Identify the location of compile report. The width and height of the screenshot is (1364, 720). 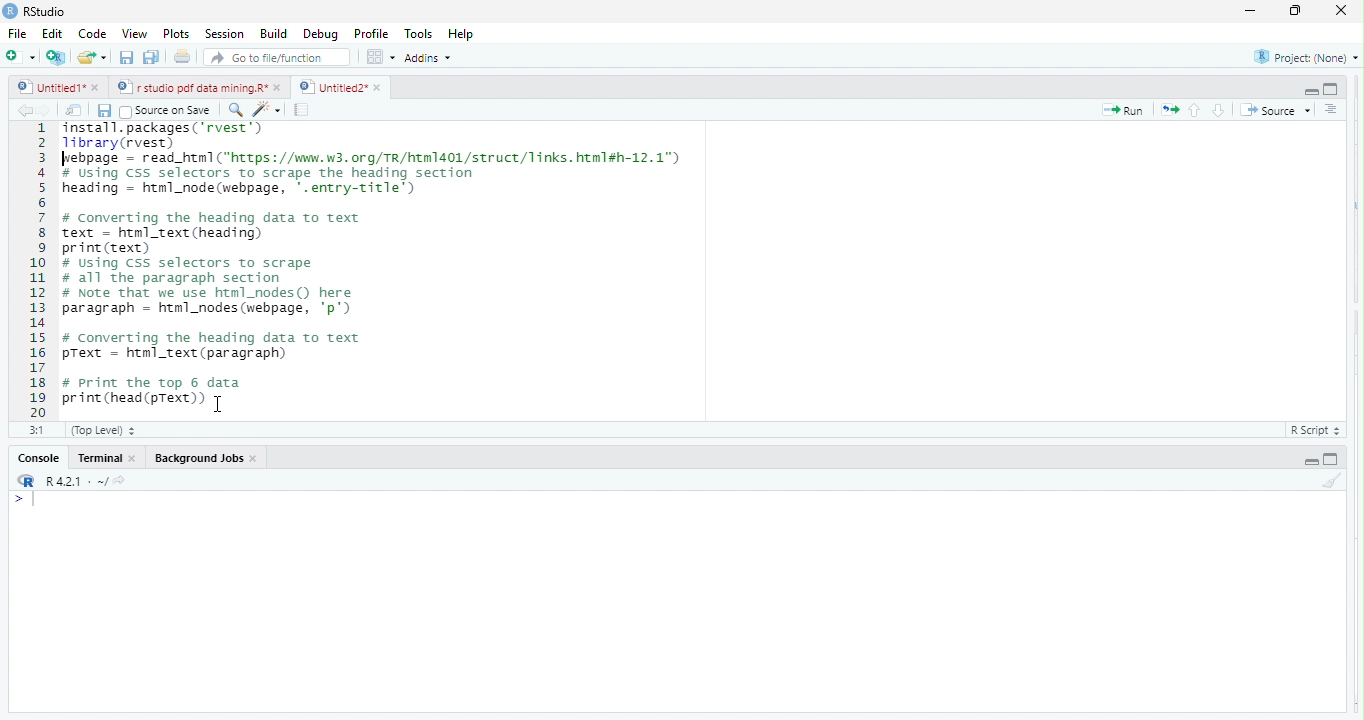
(303, 111).